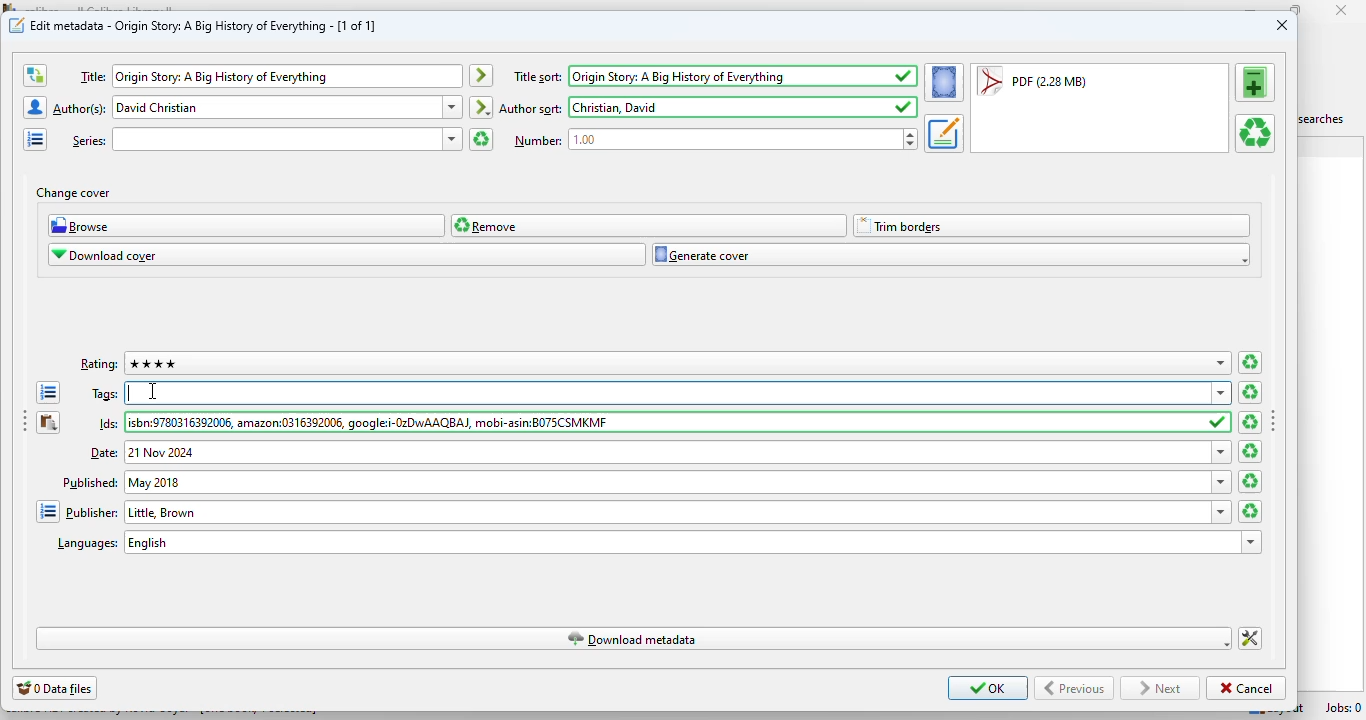 Image resolution: width=1366 pixels, height=720 pixels. Describe the element at coordinates (1250, 363) in the screenshot. I see `clear ratings` at that location.